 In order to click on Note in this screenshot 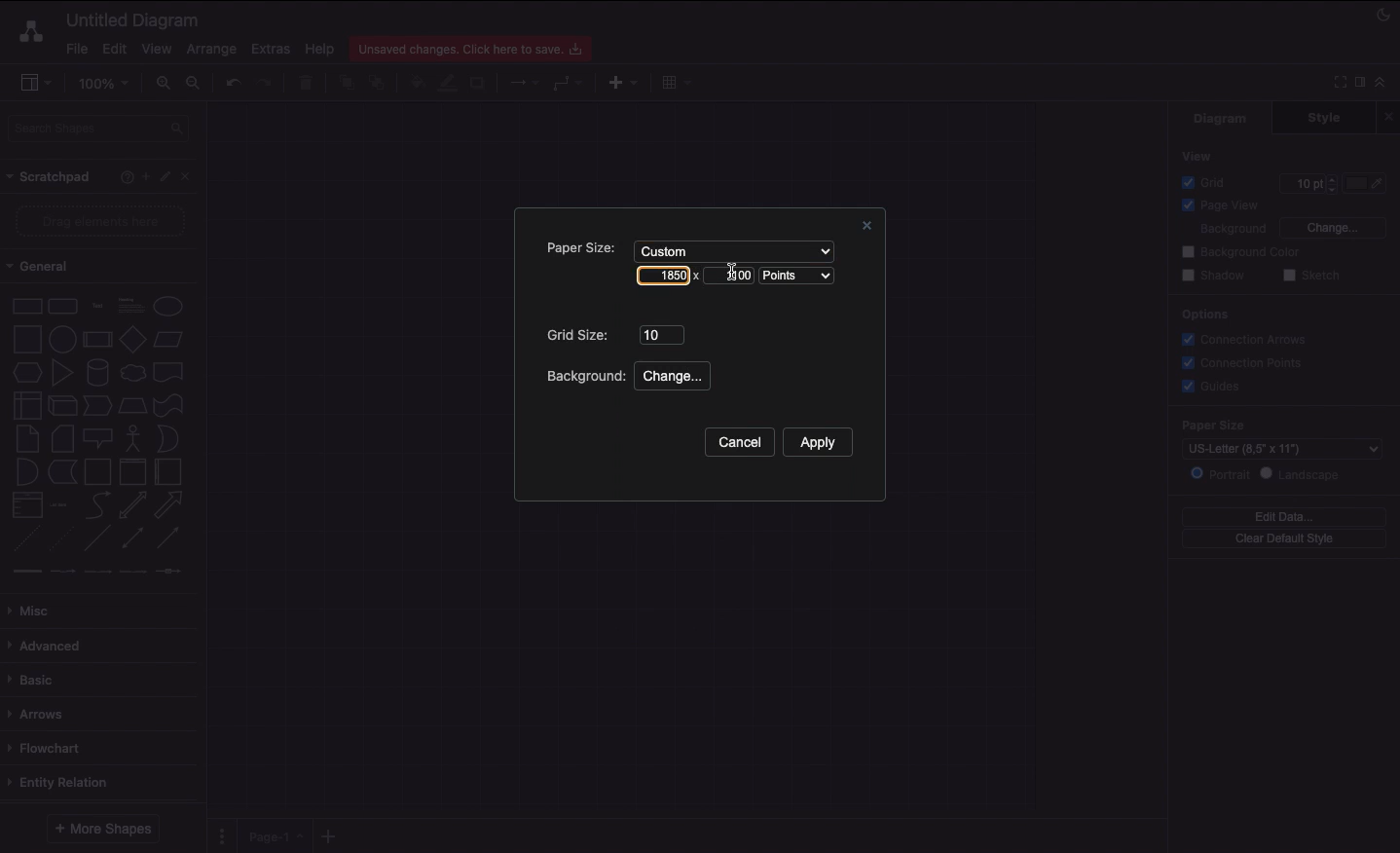, I will do `click(25, 439)`.